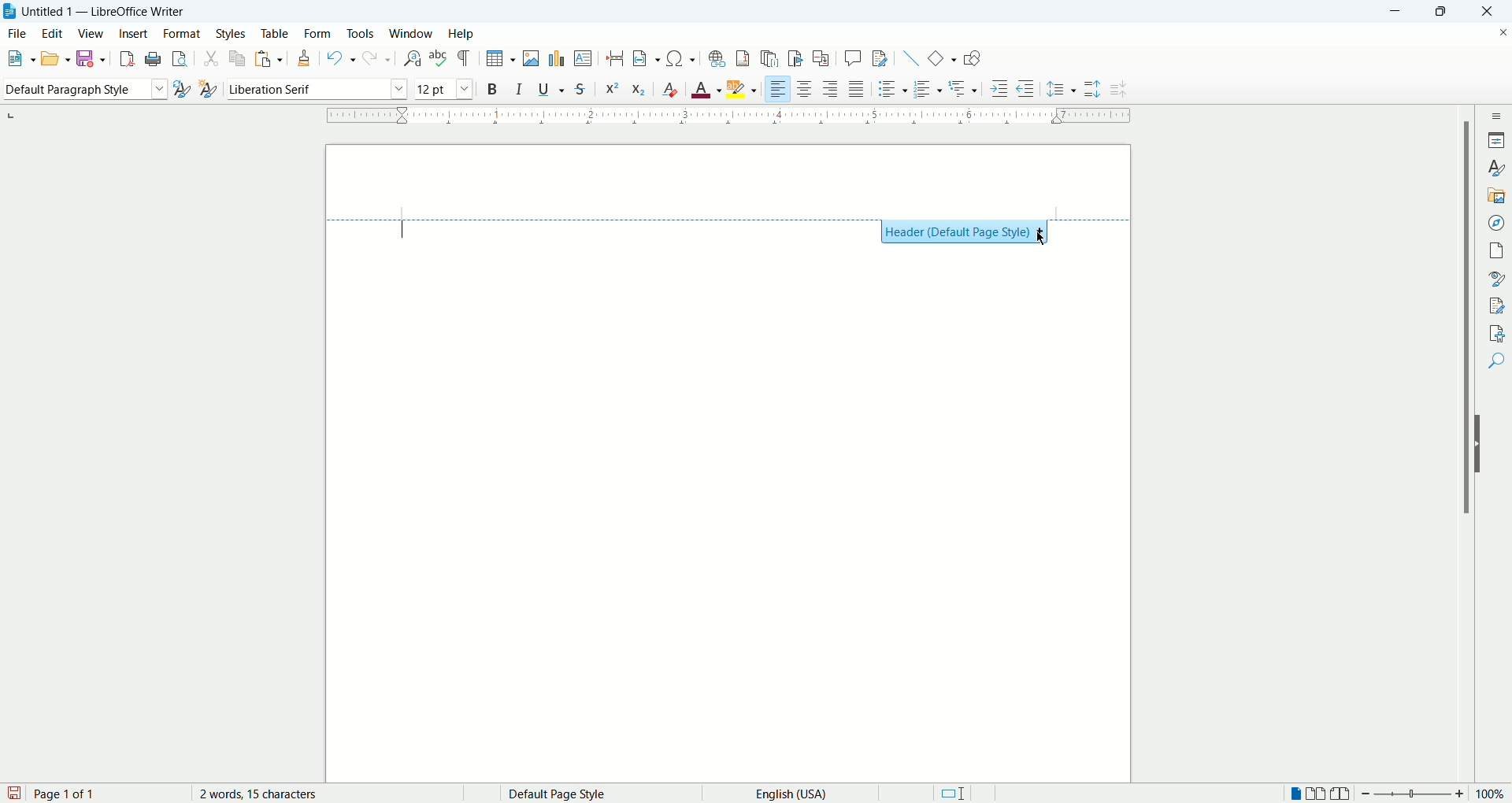 The width and height of the screenshot is (1512, 803). What do you see at coordinates (582, 89) in the screenshot?
I see `strikethrough` at bounding box center [582, 89].